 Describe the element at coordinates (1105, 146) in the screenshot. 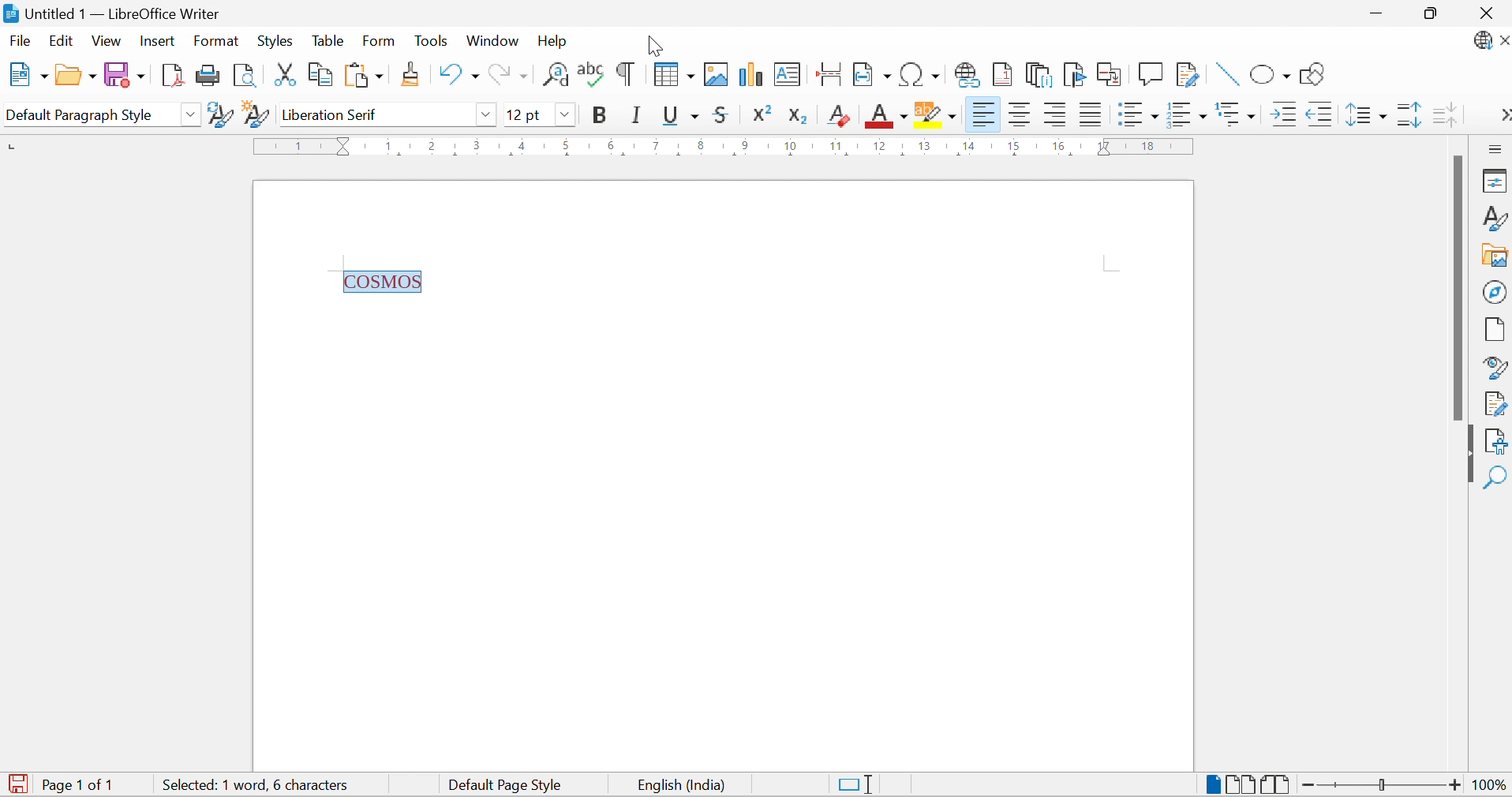

I see `17` at that location.